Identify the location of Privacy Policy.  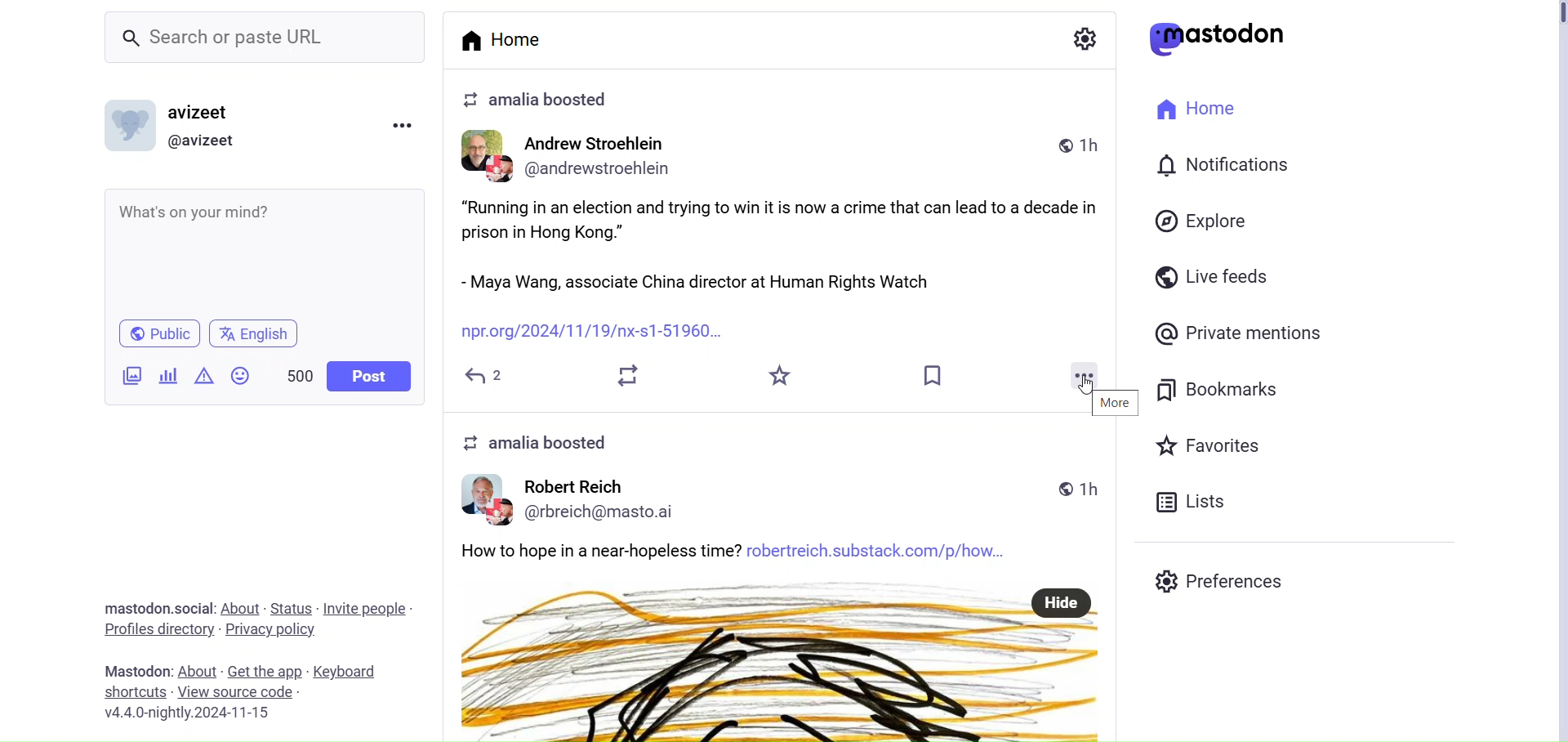
(273, 628).